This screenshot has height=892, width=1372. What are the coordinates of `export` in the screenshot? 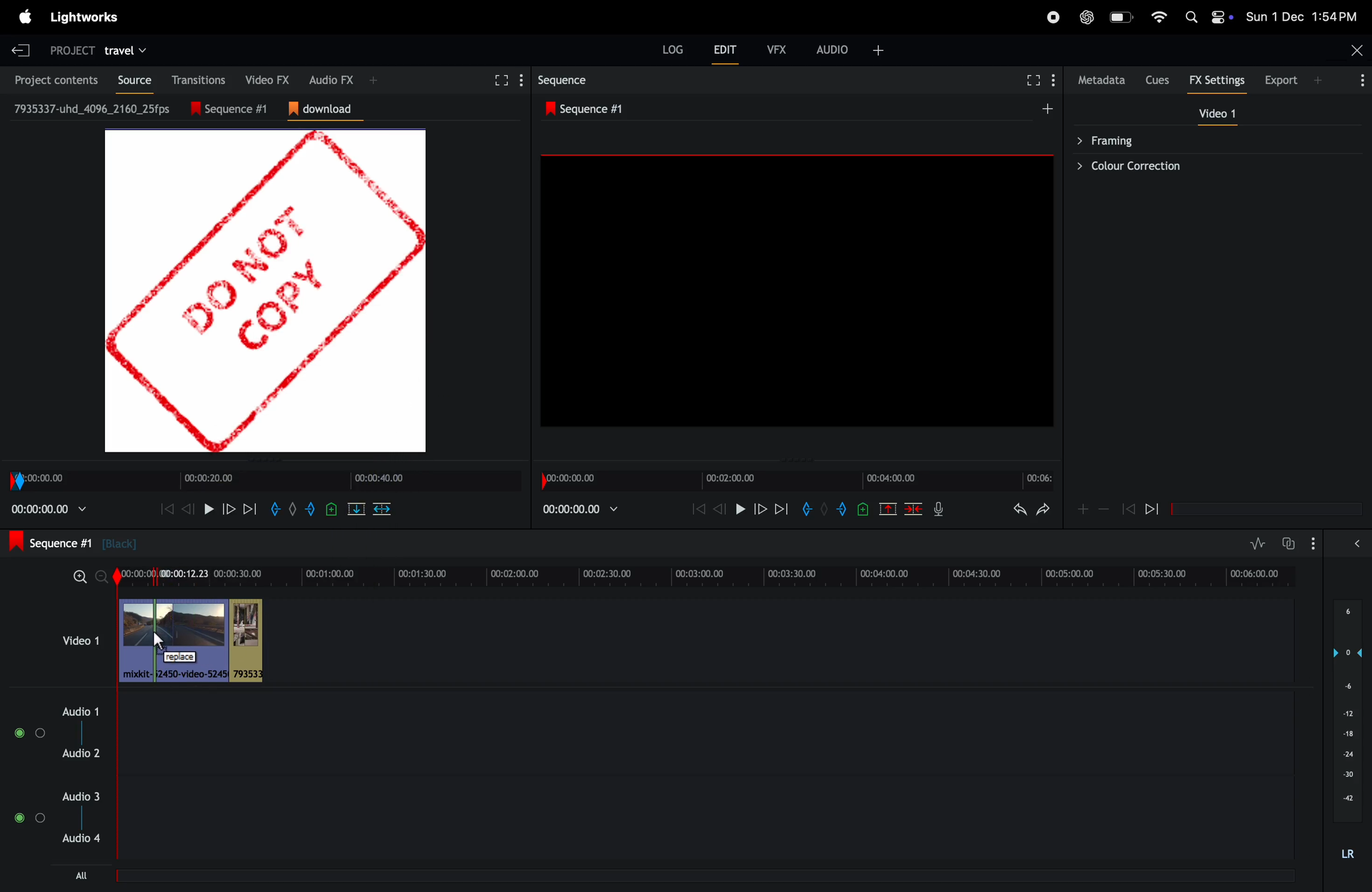 It's located at (1282, 80).